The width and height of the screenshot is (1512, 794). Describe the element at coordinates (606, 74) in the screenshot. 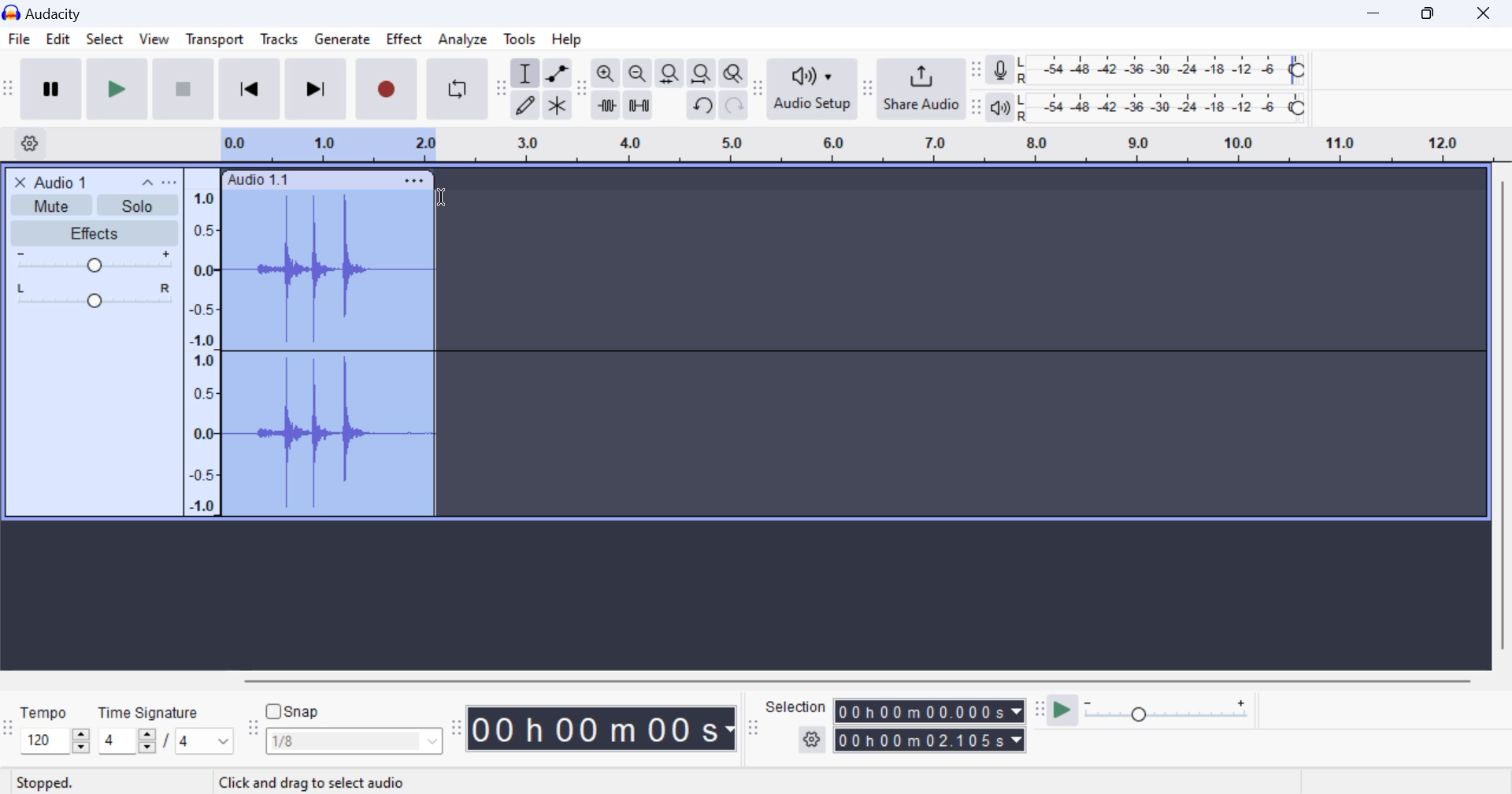

I see `zoom in` at that location.